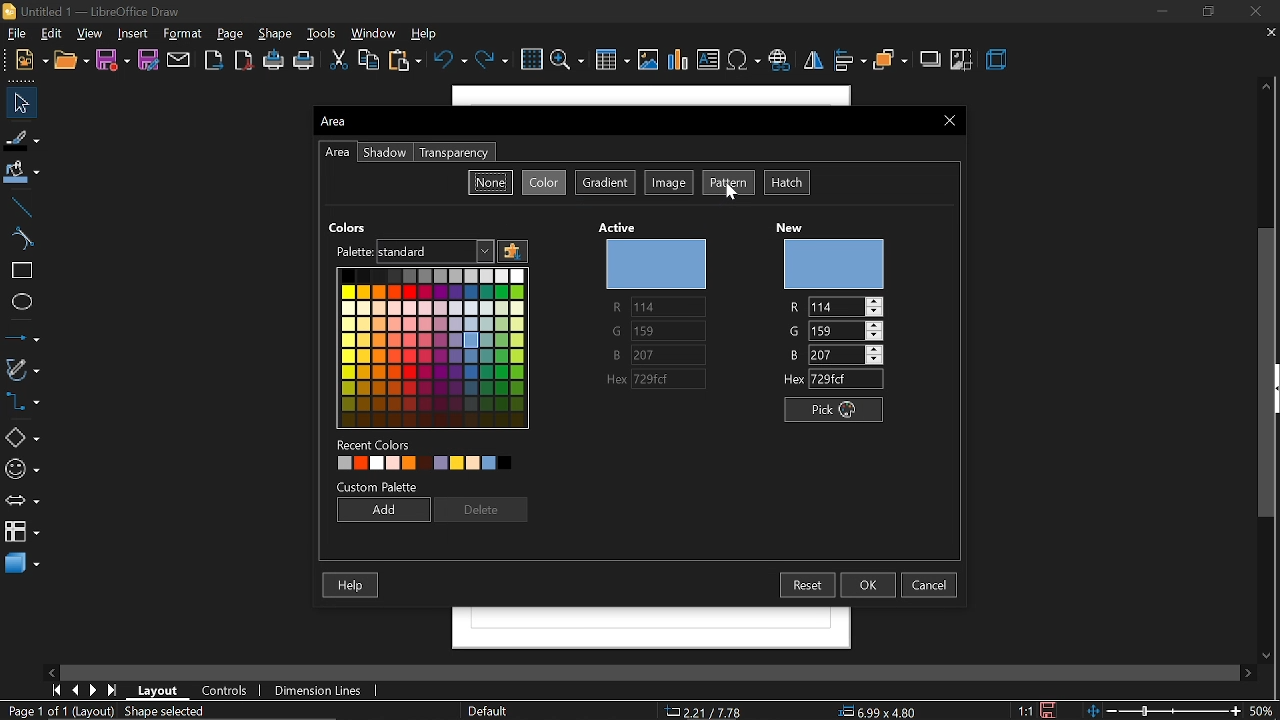  Describe the element at coordinates (234, 33) in the screenshot. I see `page` at that location.